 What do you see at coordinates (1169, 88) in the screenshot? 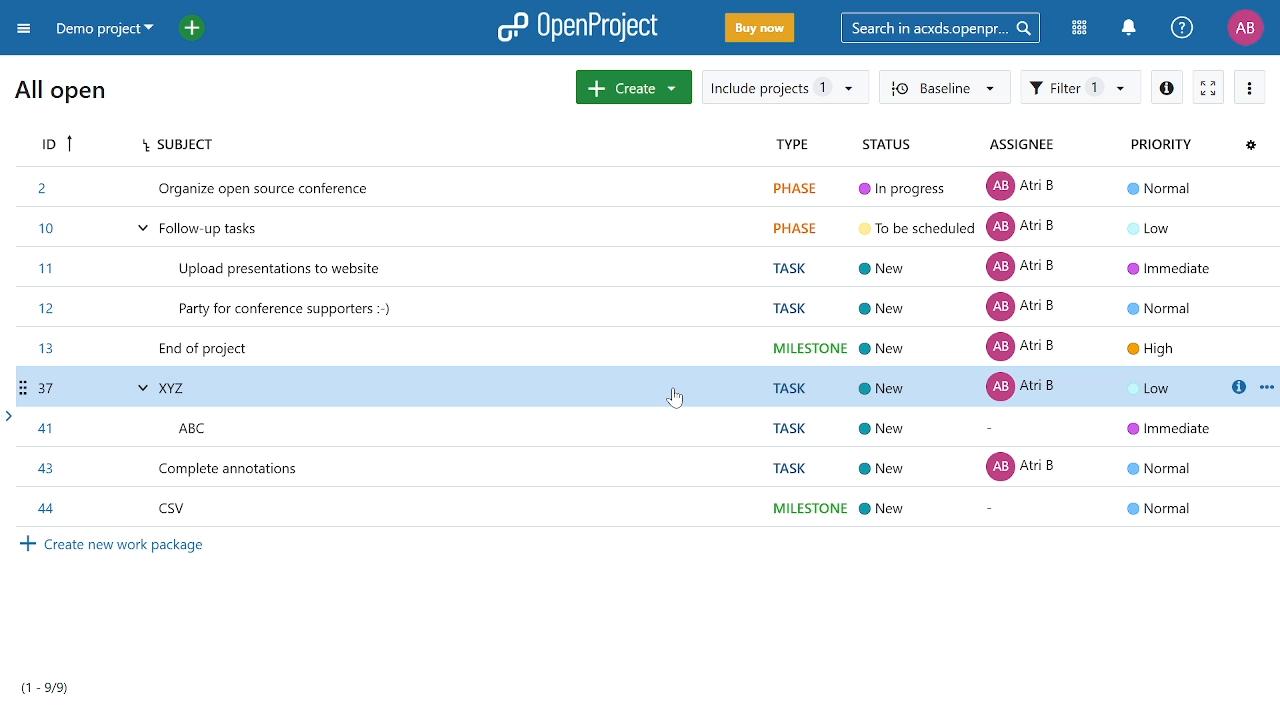
I see `Open details view` at bounding box center [1169, 88].